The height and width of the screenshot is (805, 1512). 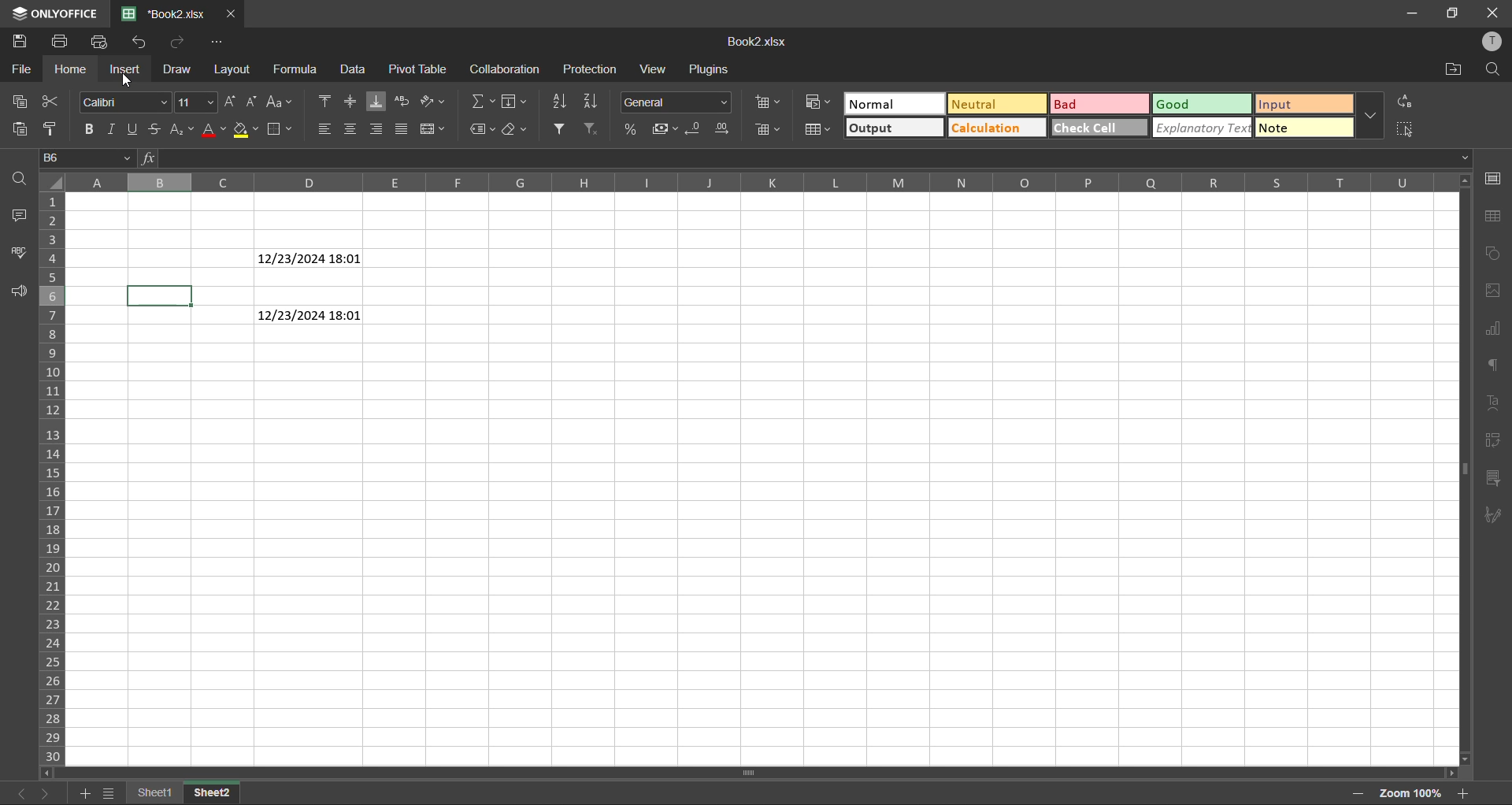 What do you see at coordinates (724, 128) in the screenshot?
I see `increase decimal` at bounding box center [724, 128].